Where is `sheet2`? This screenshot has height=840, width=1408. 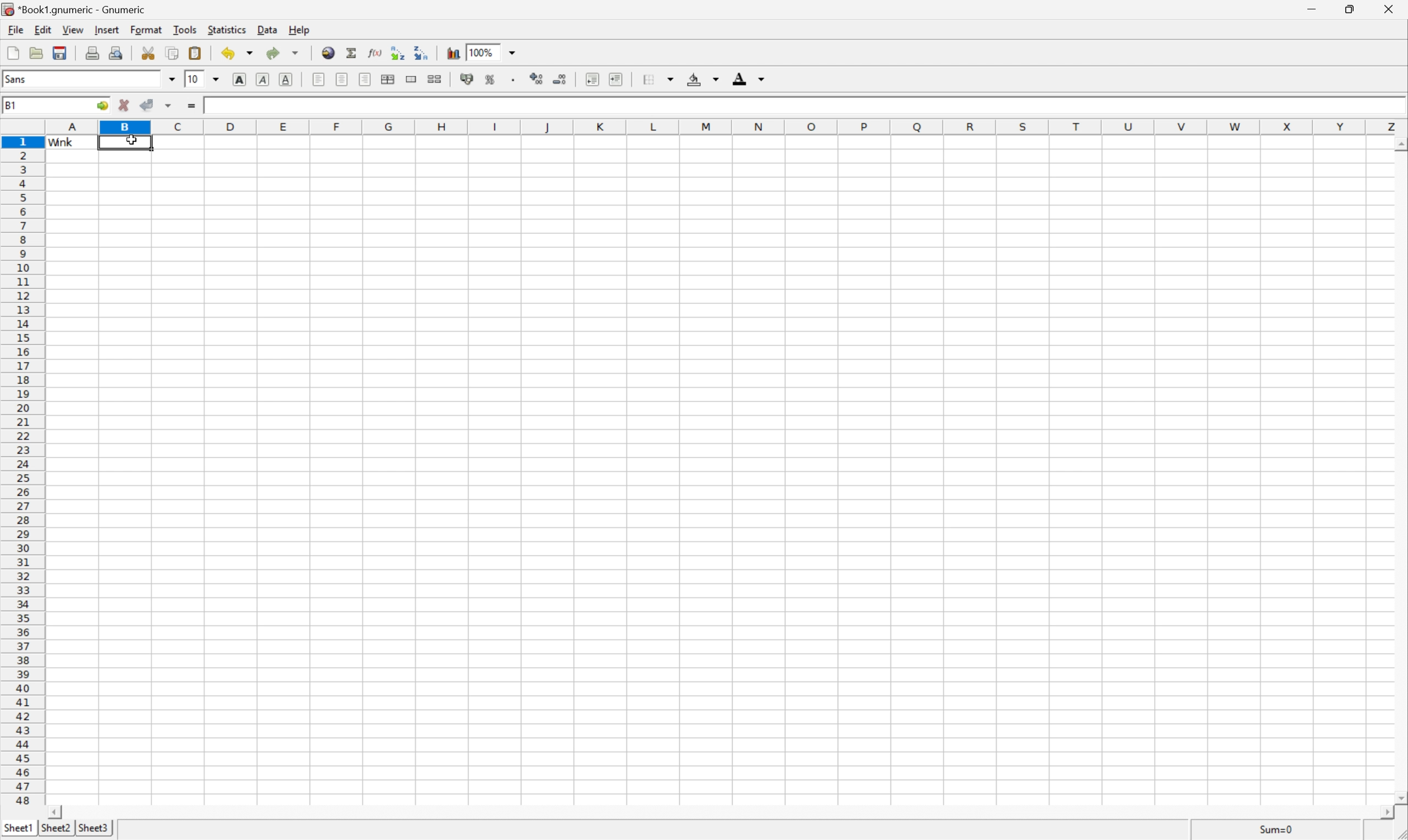 sheet2 is located at coordinates (53, 829).